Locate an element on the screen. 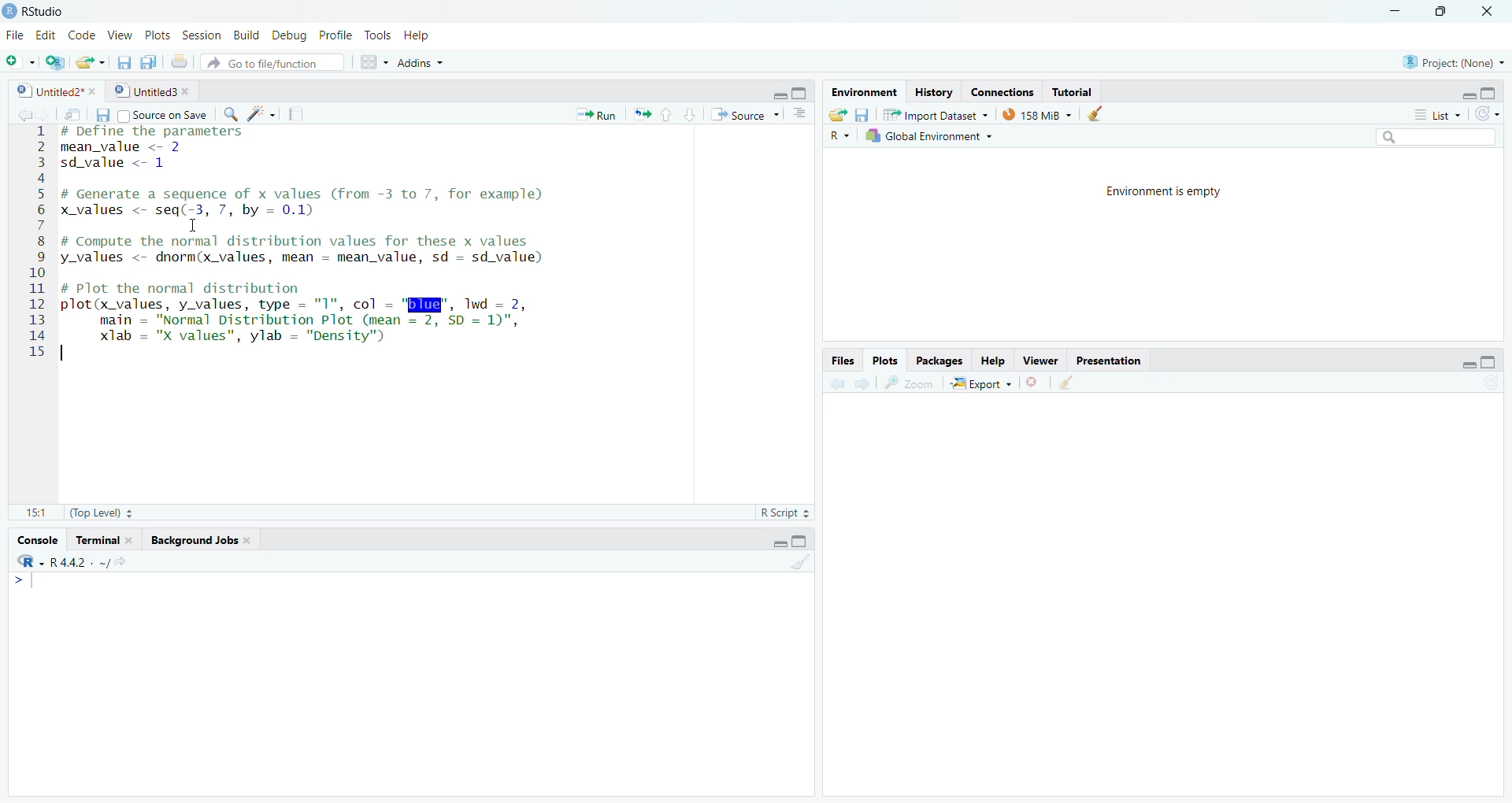 Image resolution: width=1512 pixels, height=803 pixels. R-4.A.2.- is located at coordinates (81, 561).